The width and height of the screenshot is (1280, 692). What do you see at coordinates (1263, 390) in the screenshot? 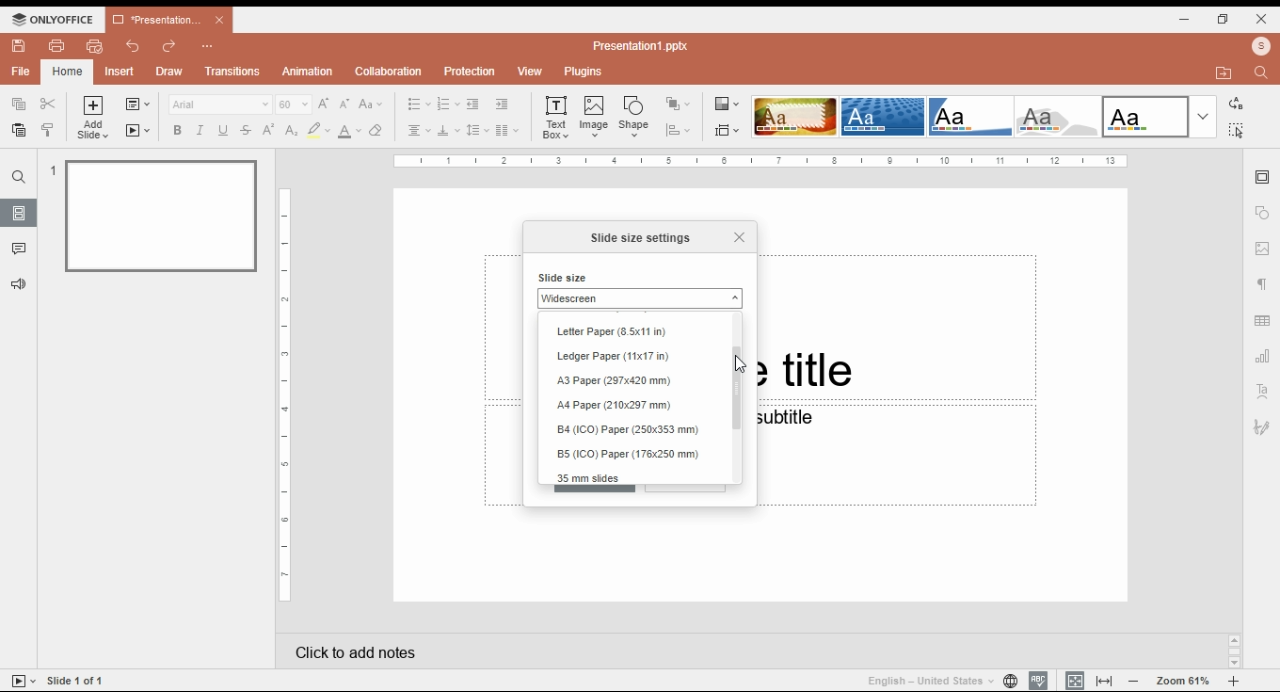
I see `text art settings` at bounding box center [1263, 390].